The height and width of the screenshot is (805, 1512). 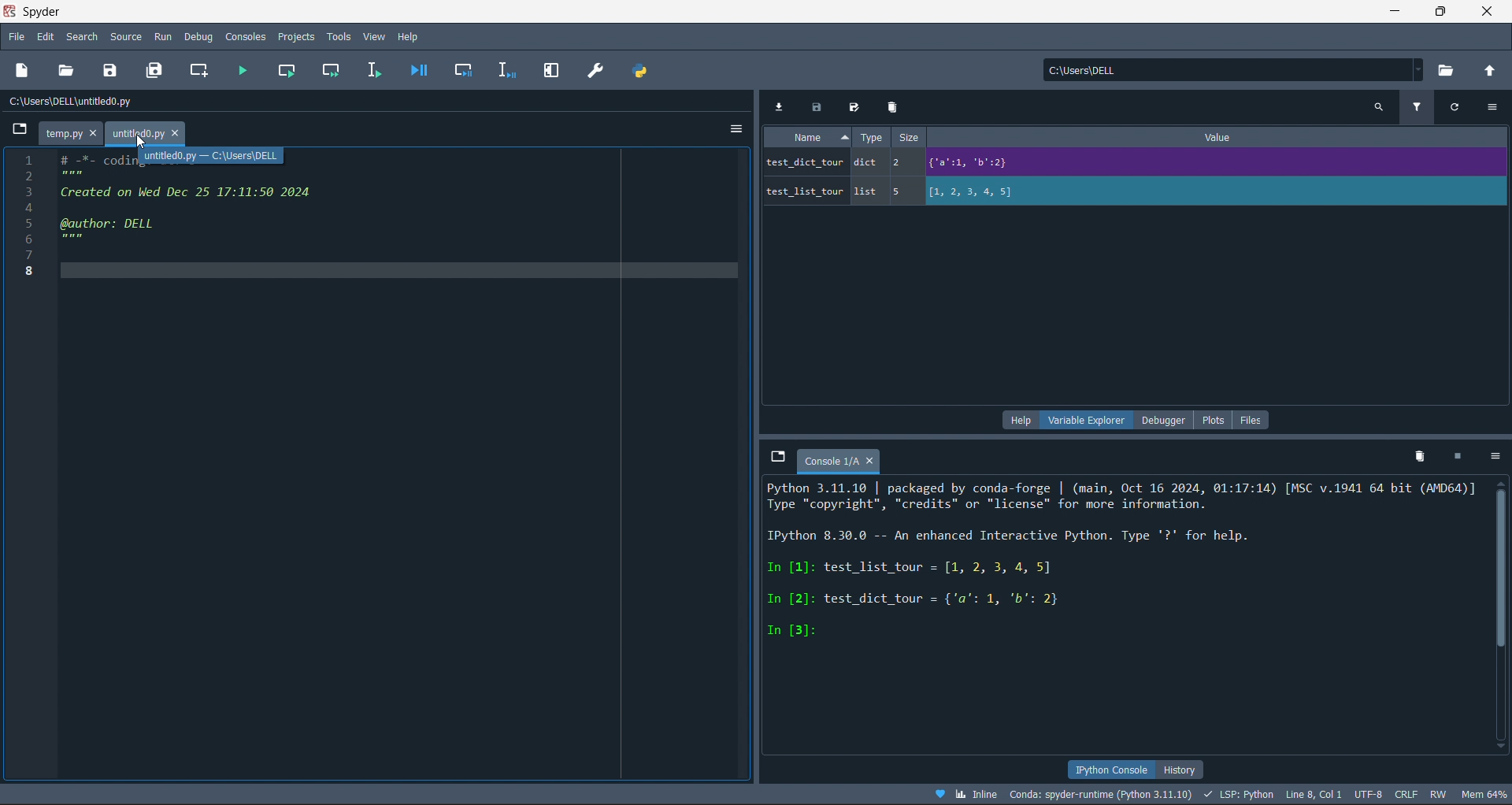 What do you see at coordinates (1488, 69) in the screenshot?
I see `open directory` at bounding box center [1488, 69].